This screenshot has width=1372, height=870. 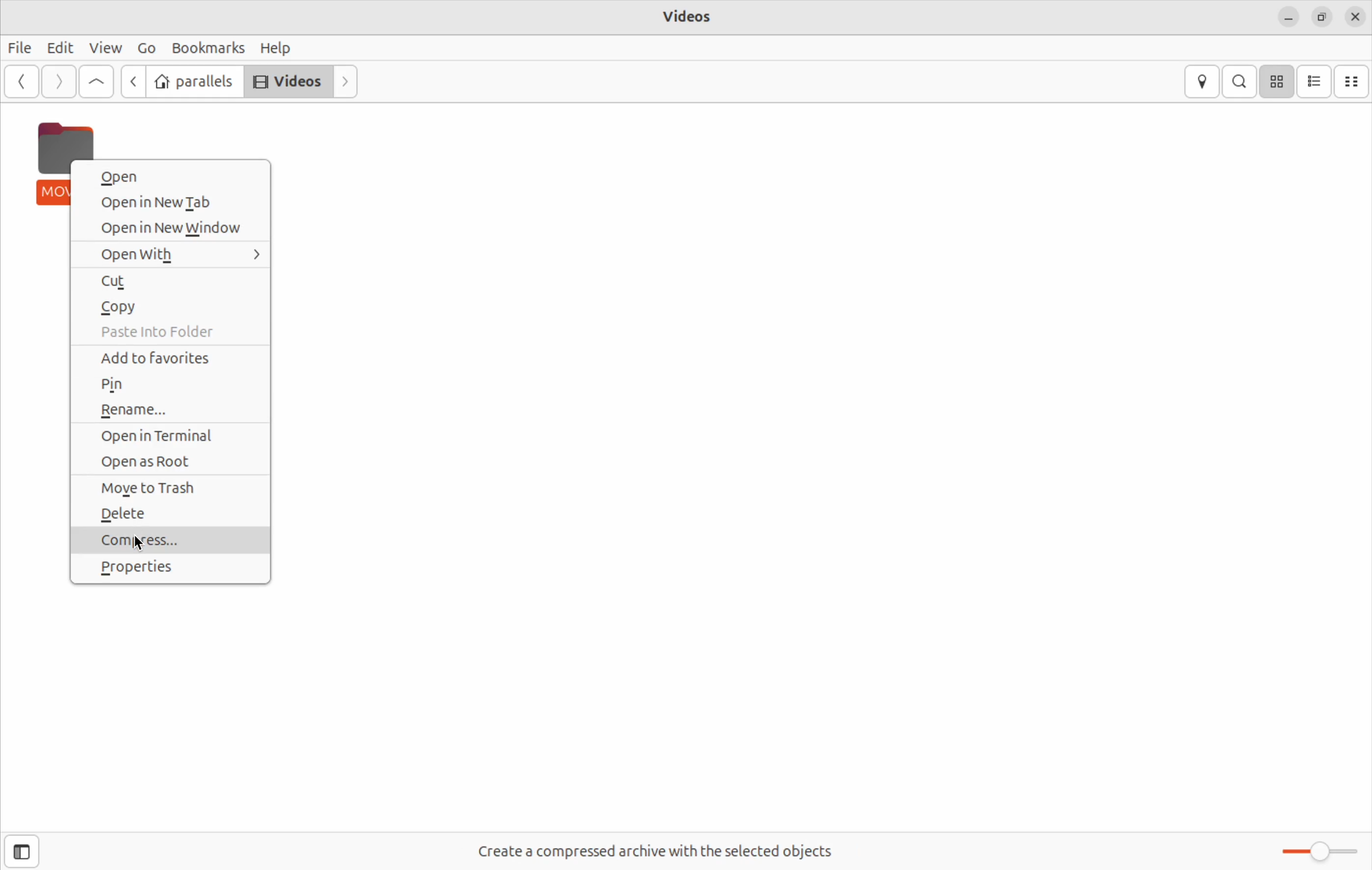 What do you see at coordinates (95, 81) in the screenshot?
I see `Go up` at bounding box center [95, 81].